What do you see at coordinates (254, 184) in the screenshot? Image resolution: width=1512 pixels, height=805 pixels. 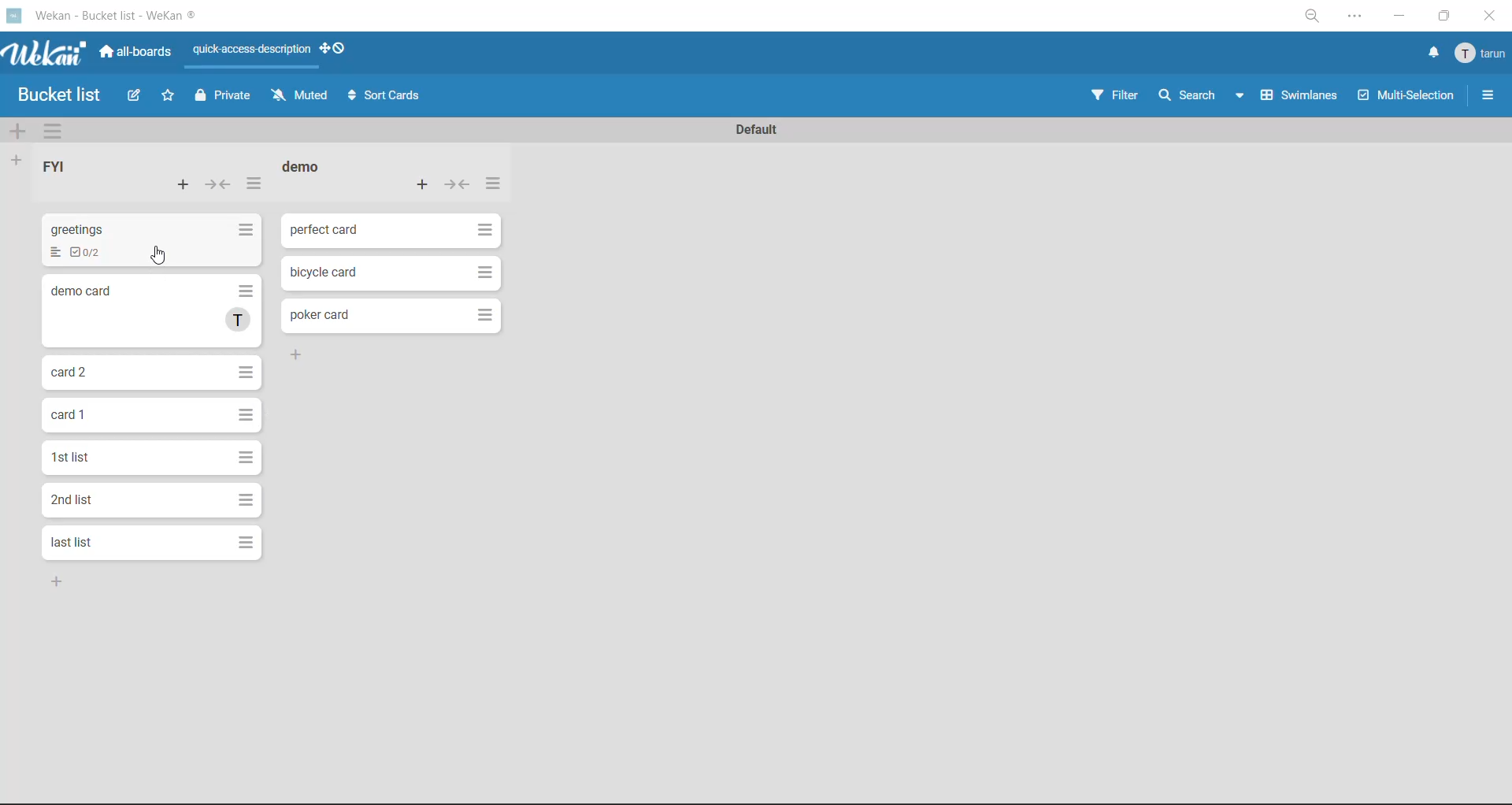 I see `list actions` at bounding box center [254, 184].